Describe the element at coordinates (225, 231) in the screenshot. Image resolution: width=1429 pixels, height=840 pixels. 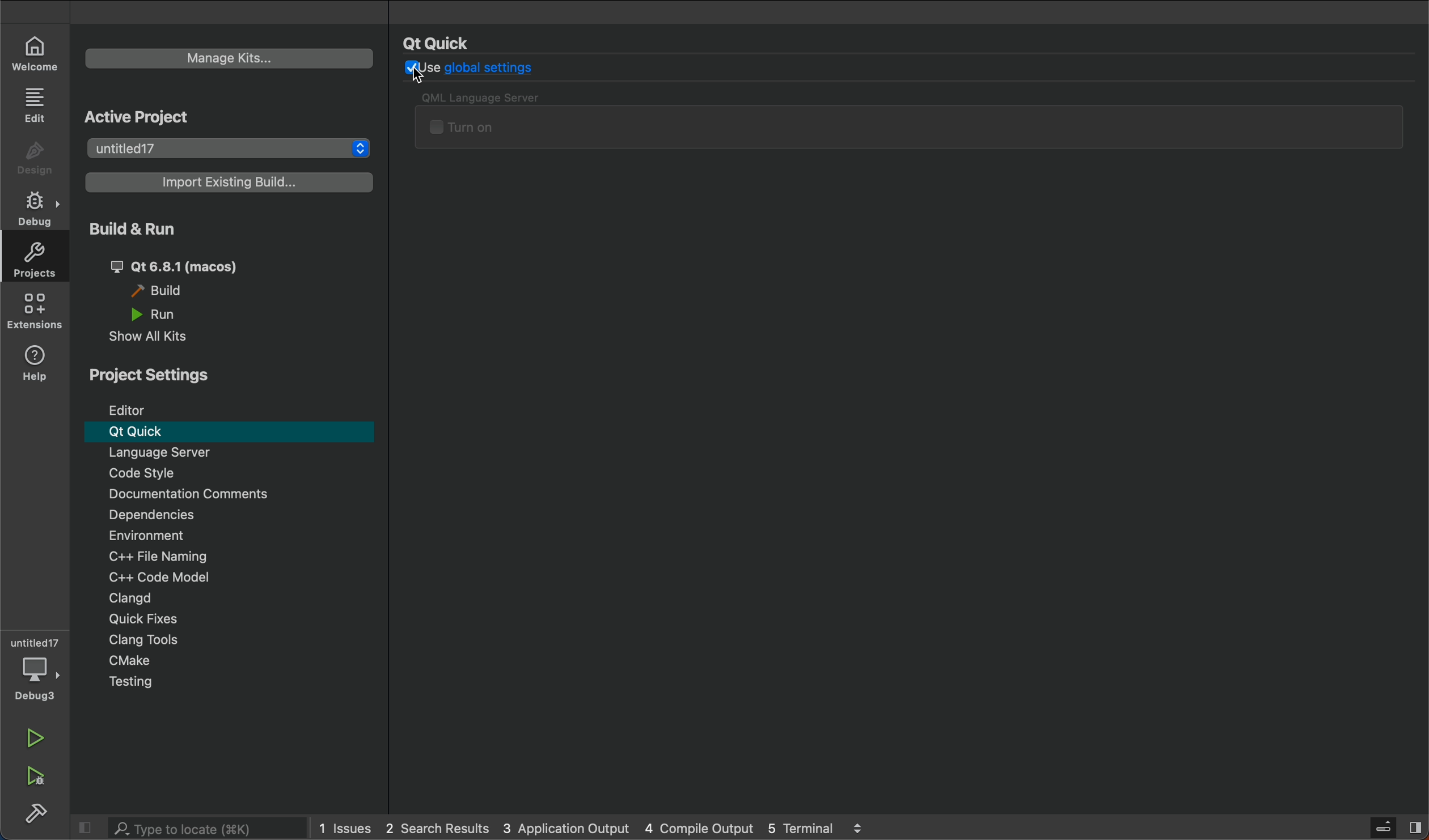
I see `run and build` at that location.